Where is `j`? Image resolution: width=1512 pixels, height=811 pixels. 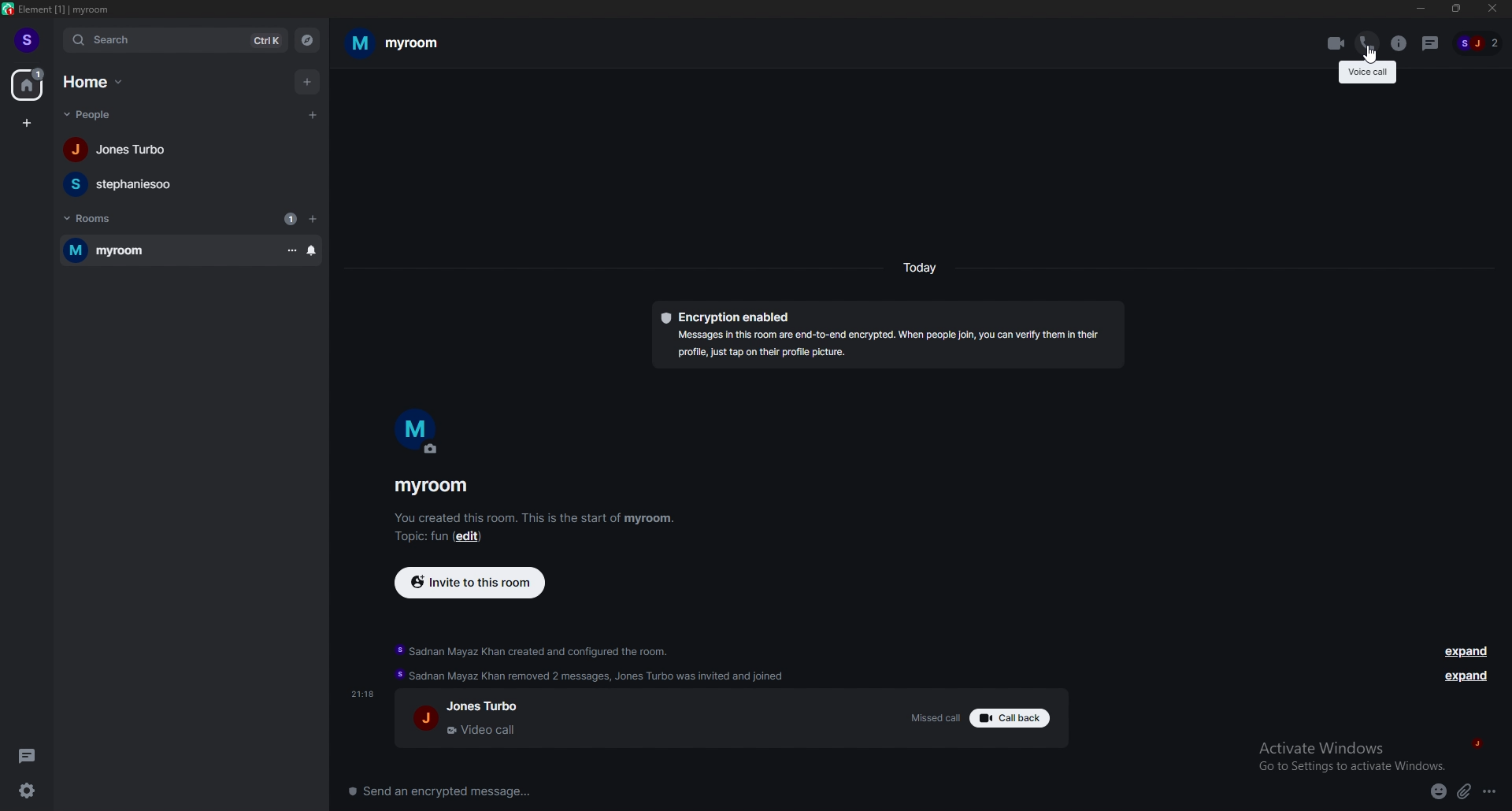
j is located at coordinates (1477, 742).